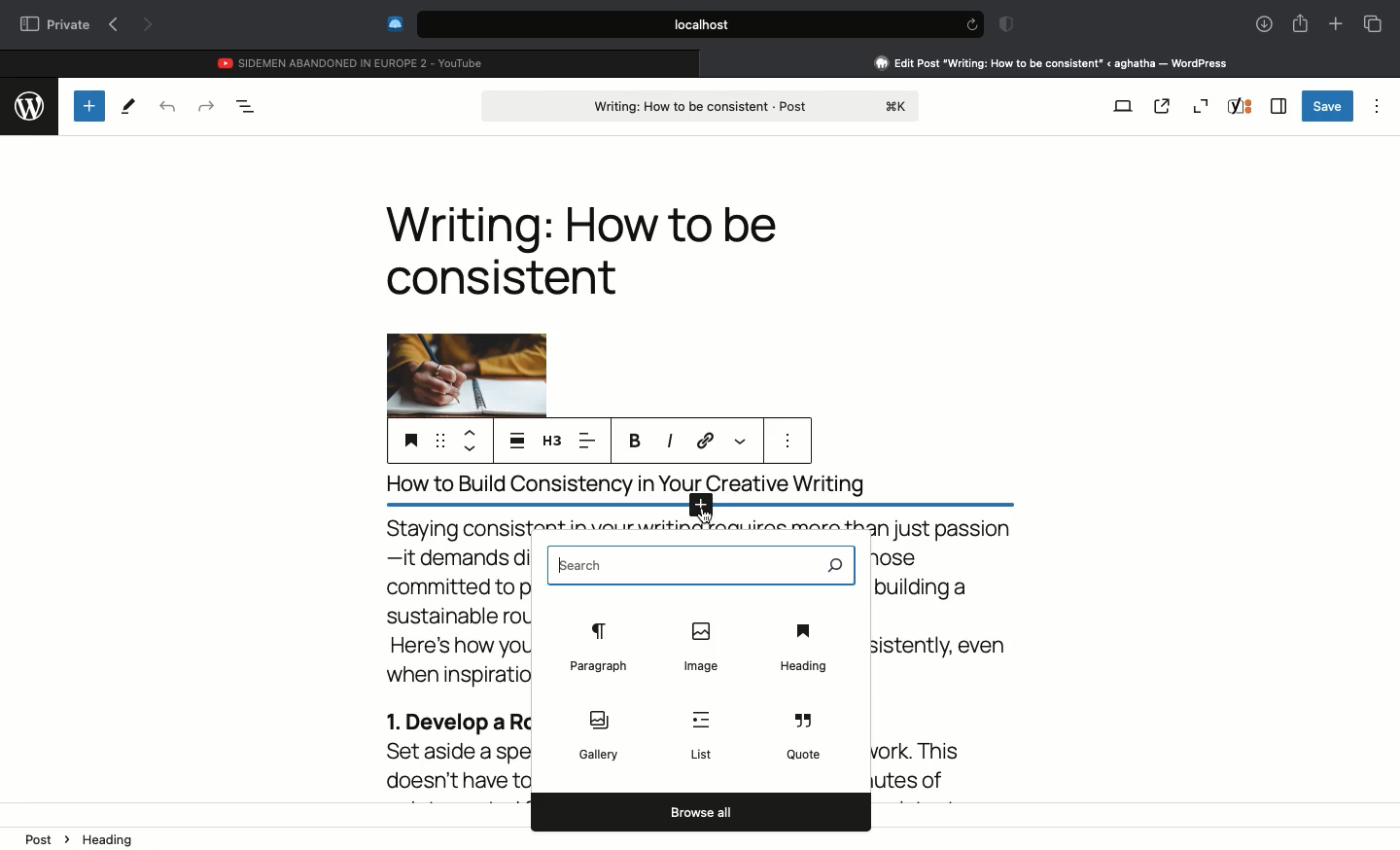 The image size is (1400, 850). I want to click on Gallery, so click(596, 737).